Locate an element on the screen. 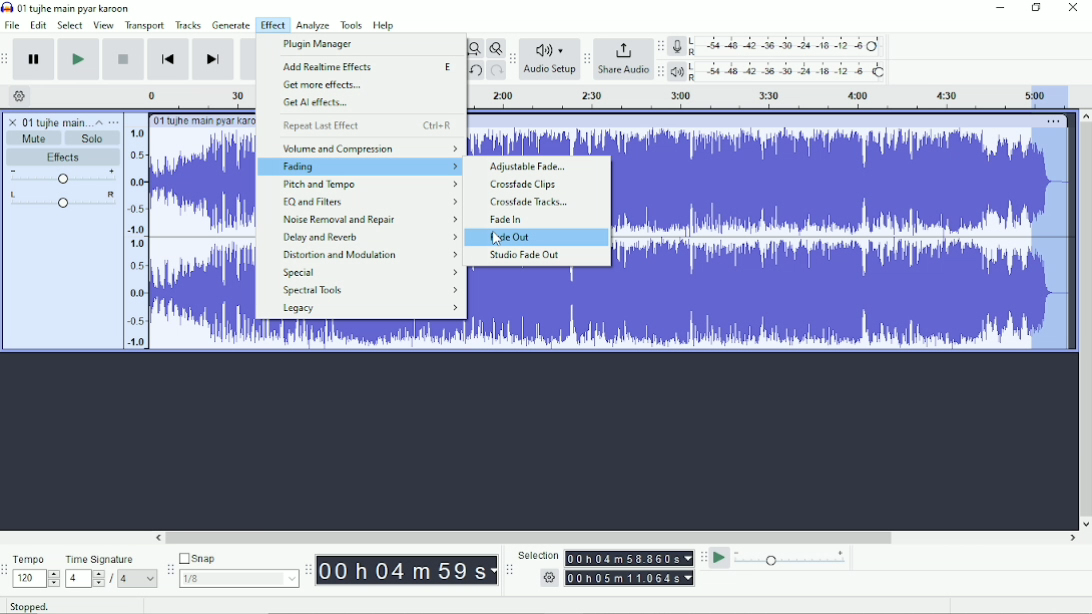  Audacity recording meter toolbar is located at coordinates (661, 47).